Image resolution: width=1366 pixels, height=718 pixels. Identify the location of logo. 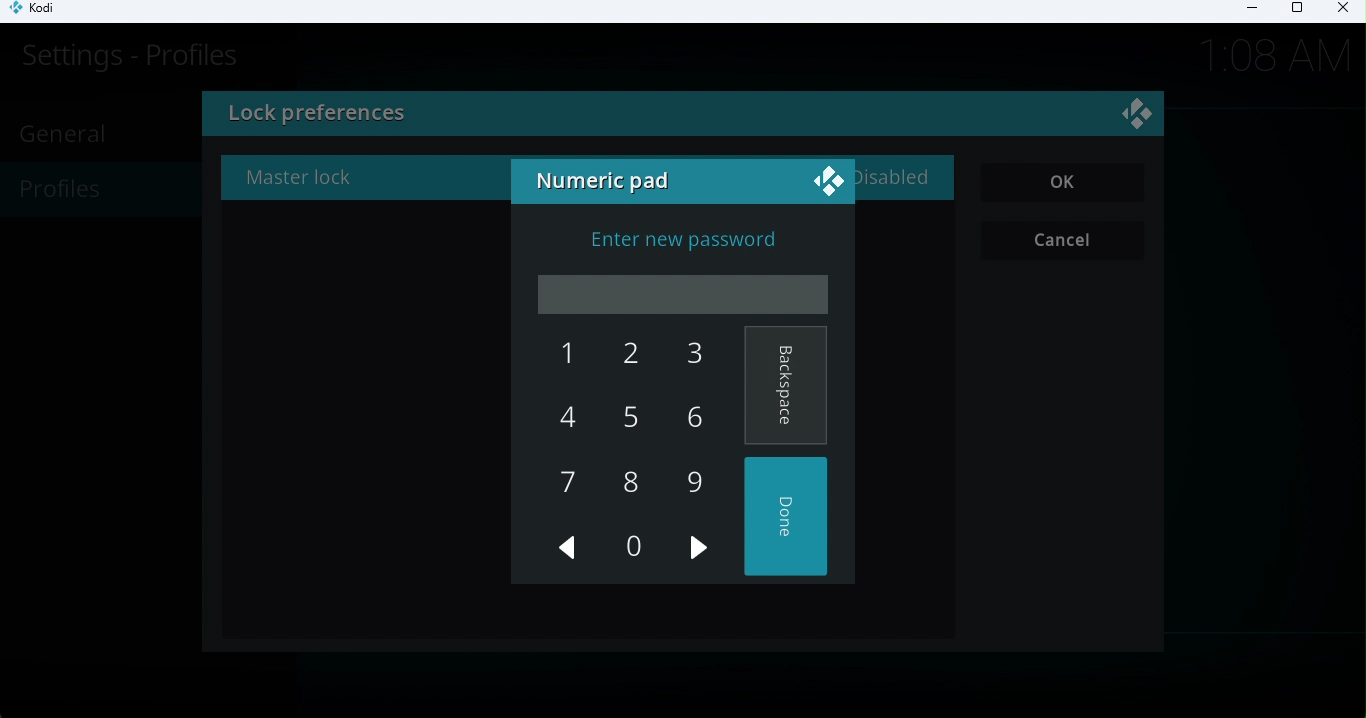
(826, 179).